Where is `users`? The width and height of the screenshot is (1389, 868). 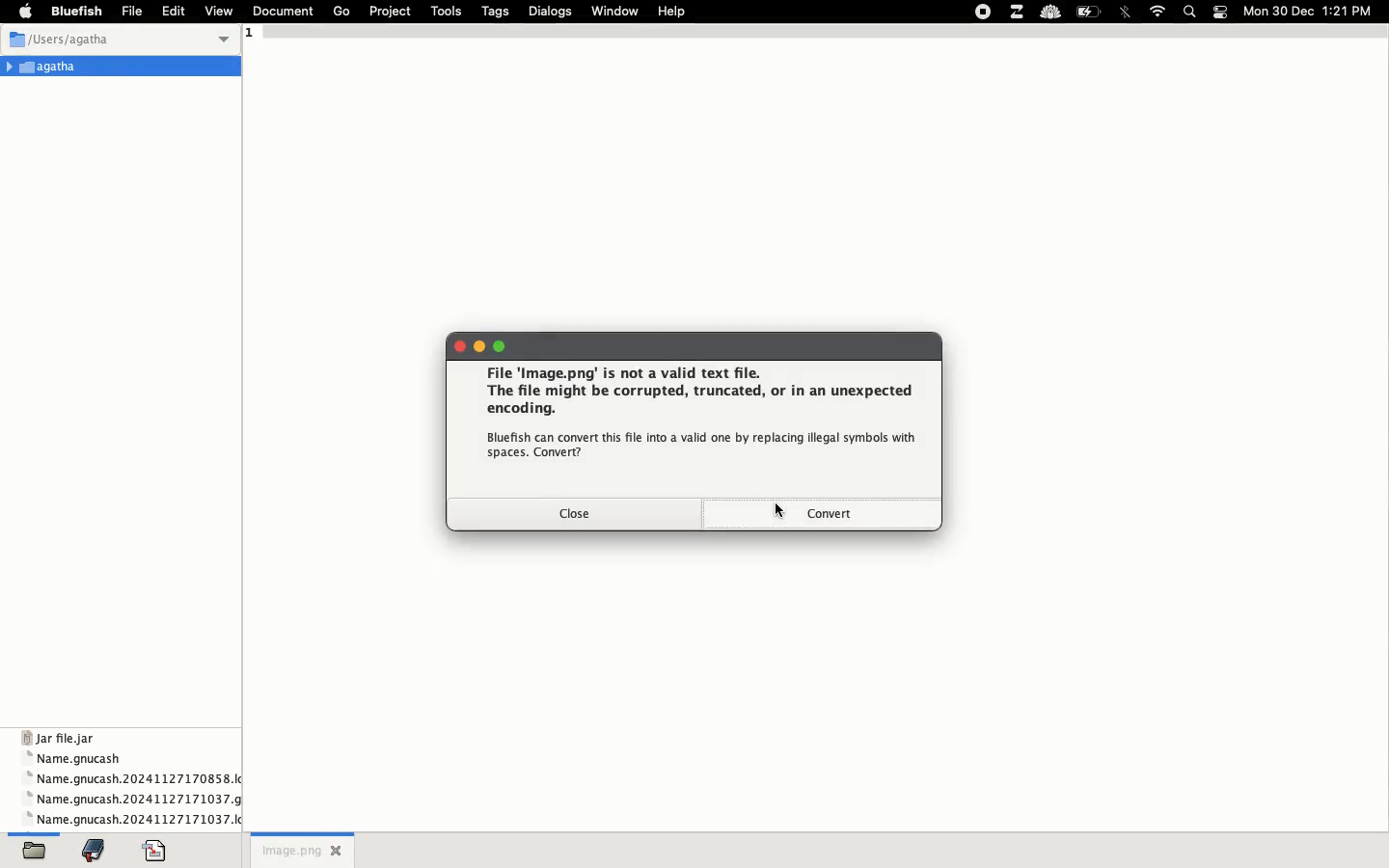 users is located at coordinates (121, 40).